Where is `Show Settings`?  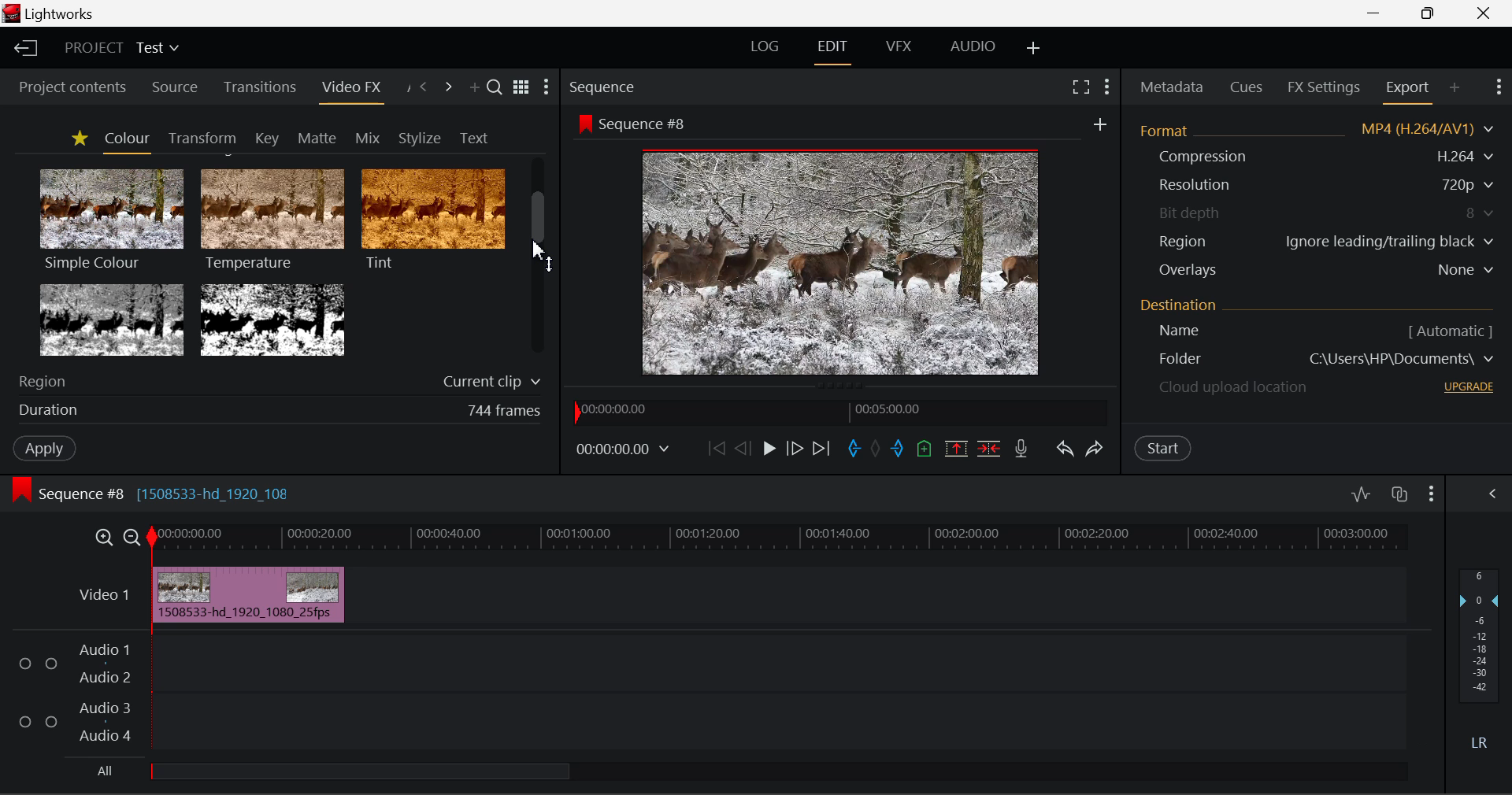
Show Settings is located at coordinates (547, 87).